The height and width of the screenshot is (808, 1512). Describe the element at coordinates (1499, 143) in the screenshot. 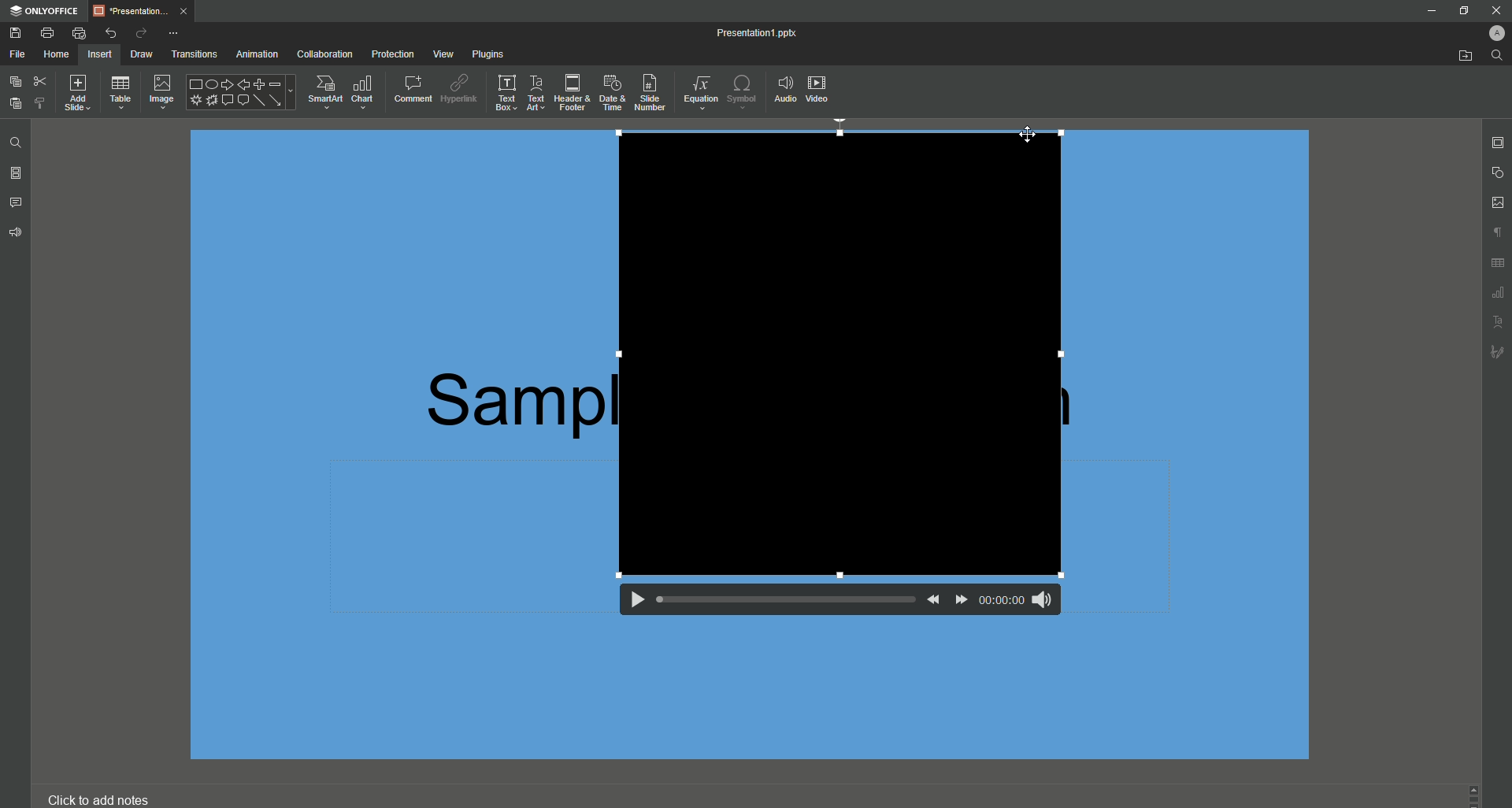

I see `Slide Settings` at that location.